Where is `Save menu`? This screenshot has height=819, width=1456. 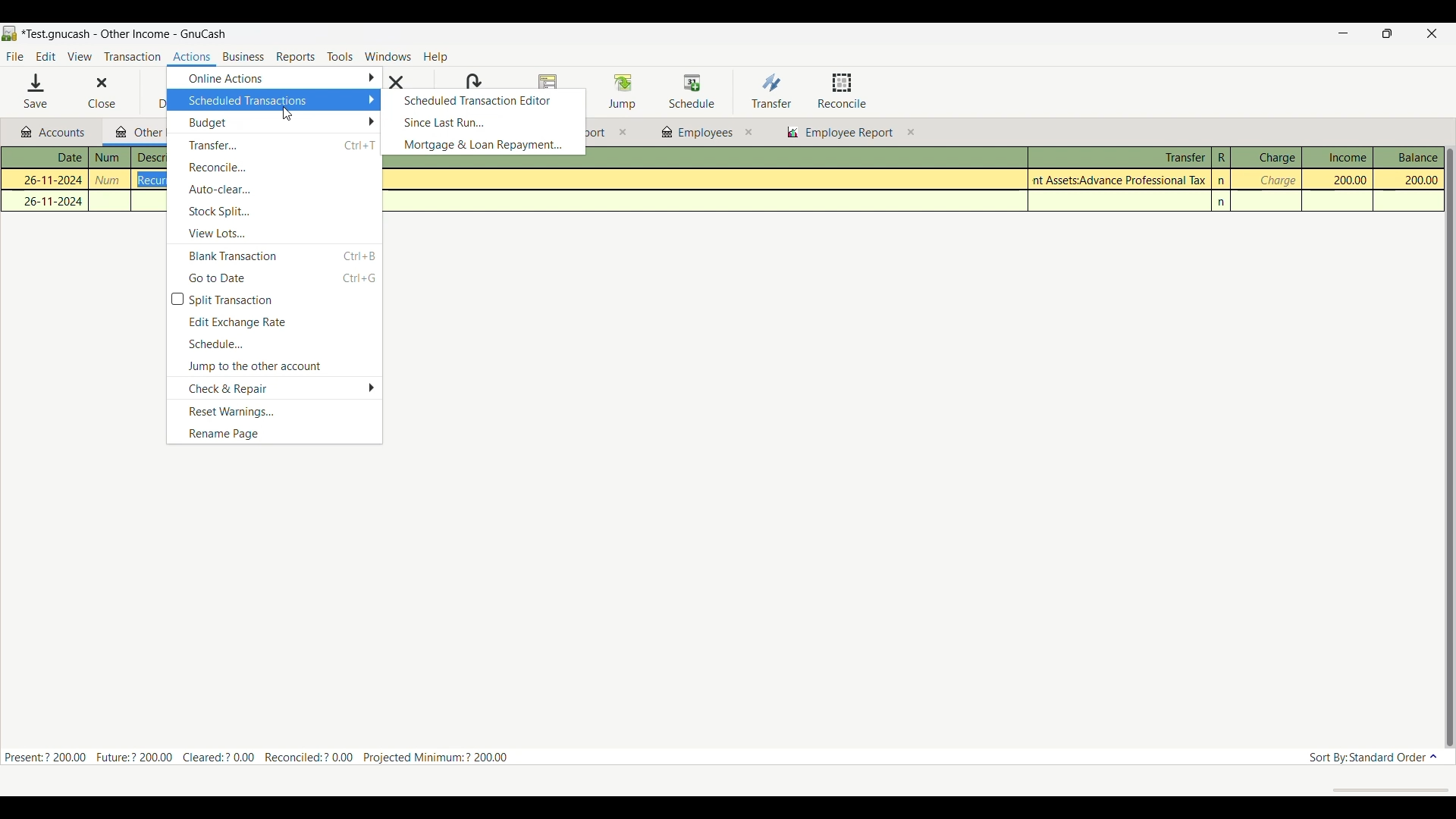 Save menu is located at coordinates (37, 91).